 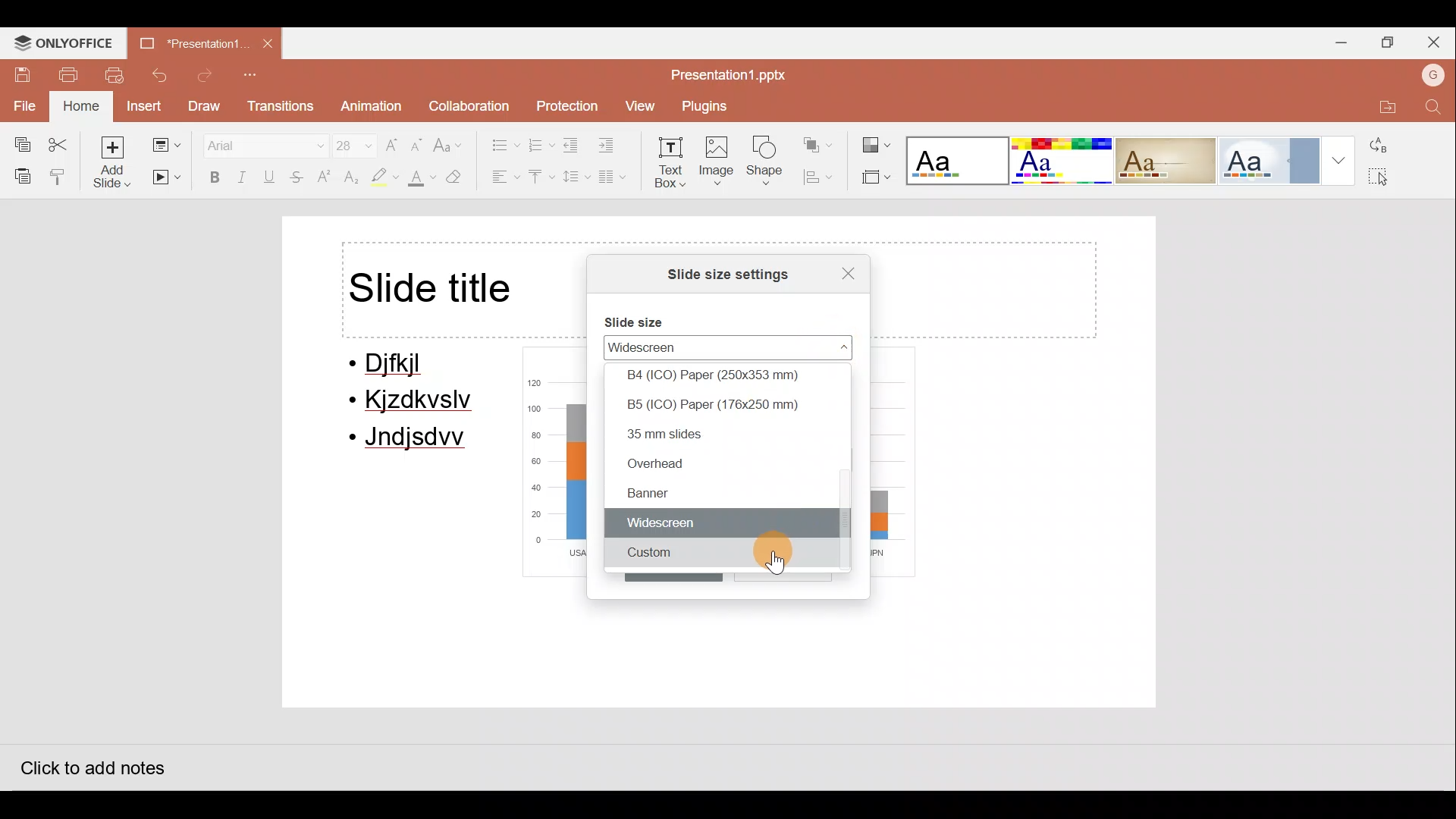 What do you see at coordinates (719, 463) in the screenshot?
I see `Overhead` at bounding box center [719, 463].